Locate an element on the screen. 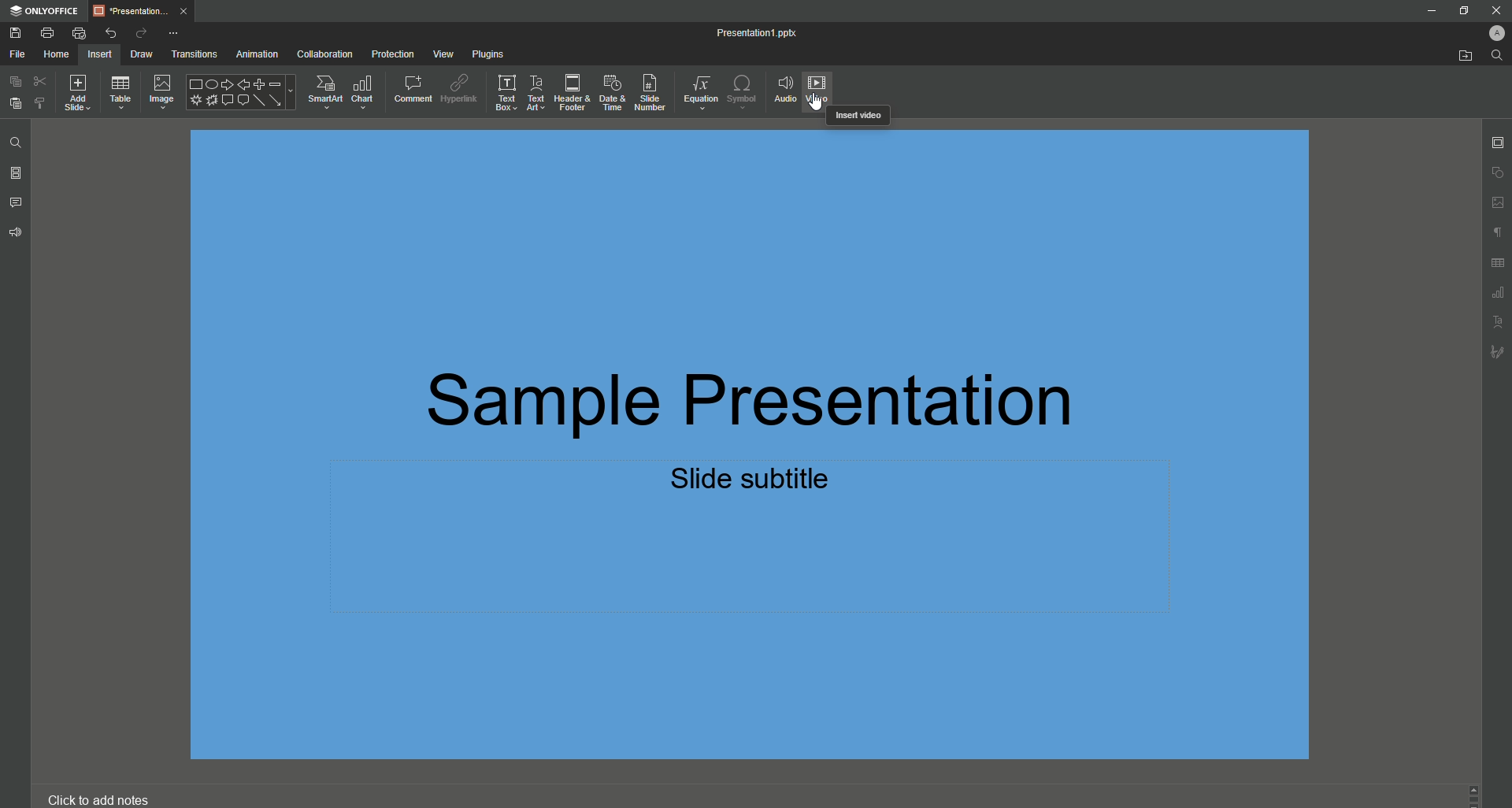 This screenshot has width=1512, height=808. Print is located at coordinates (48, 33).